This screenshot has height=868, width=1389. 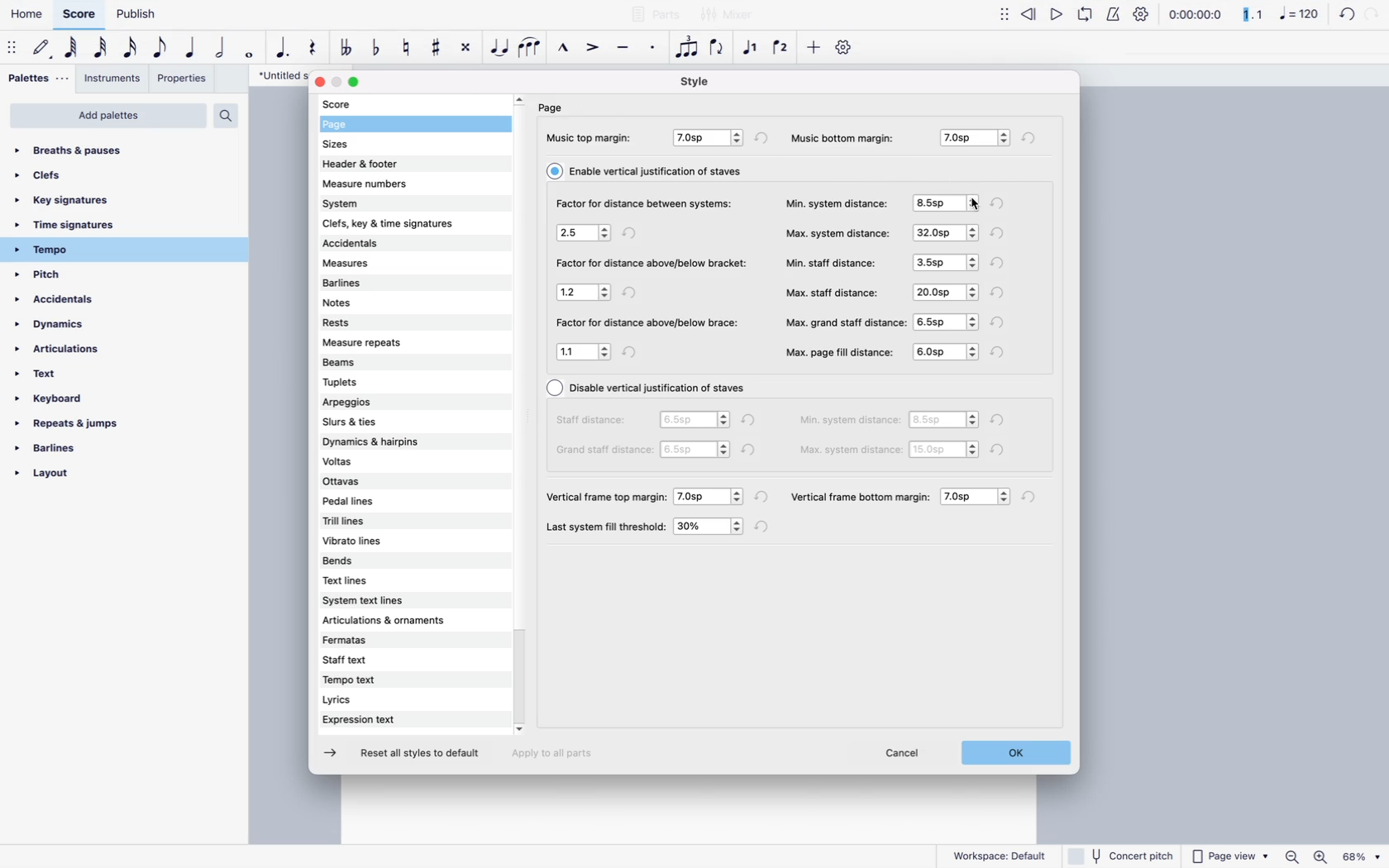 What do you see at coordinates (43, 50) in the screenshot?
I see `default` at bounding box center [43, 50].